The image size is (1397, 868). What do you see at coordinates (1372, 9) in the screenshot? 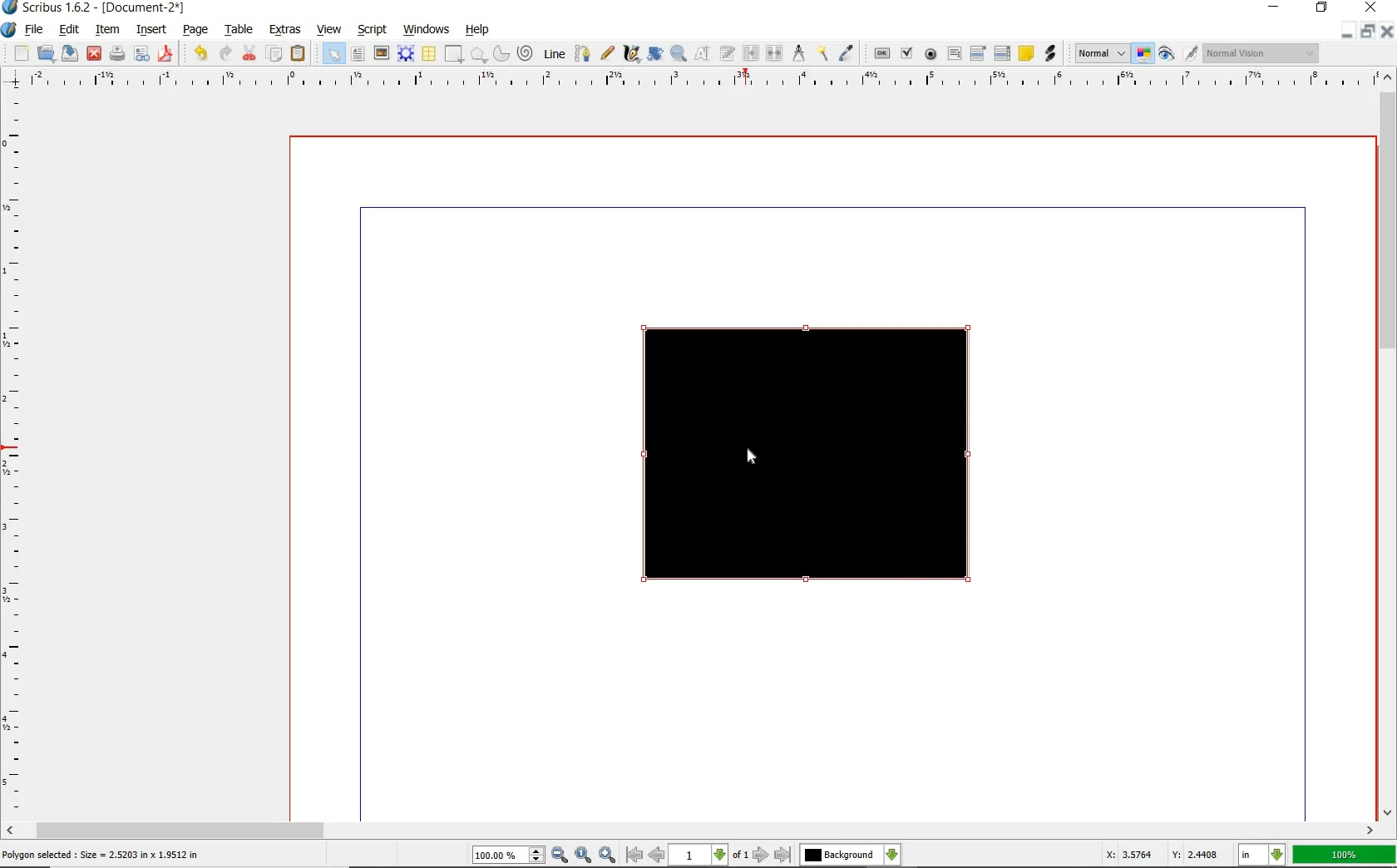
I see `CLOSE` at bounding box center [1372, 9].